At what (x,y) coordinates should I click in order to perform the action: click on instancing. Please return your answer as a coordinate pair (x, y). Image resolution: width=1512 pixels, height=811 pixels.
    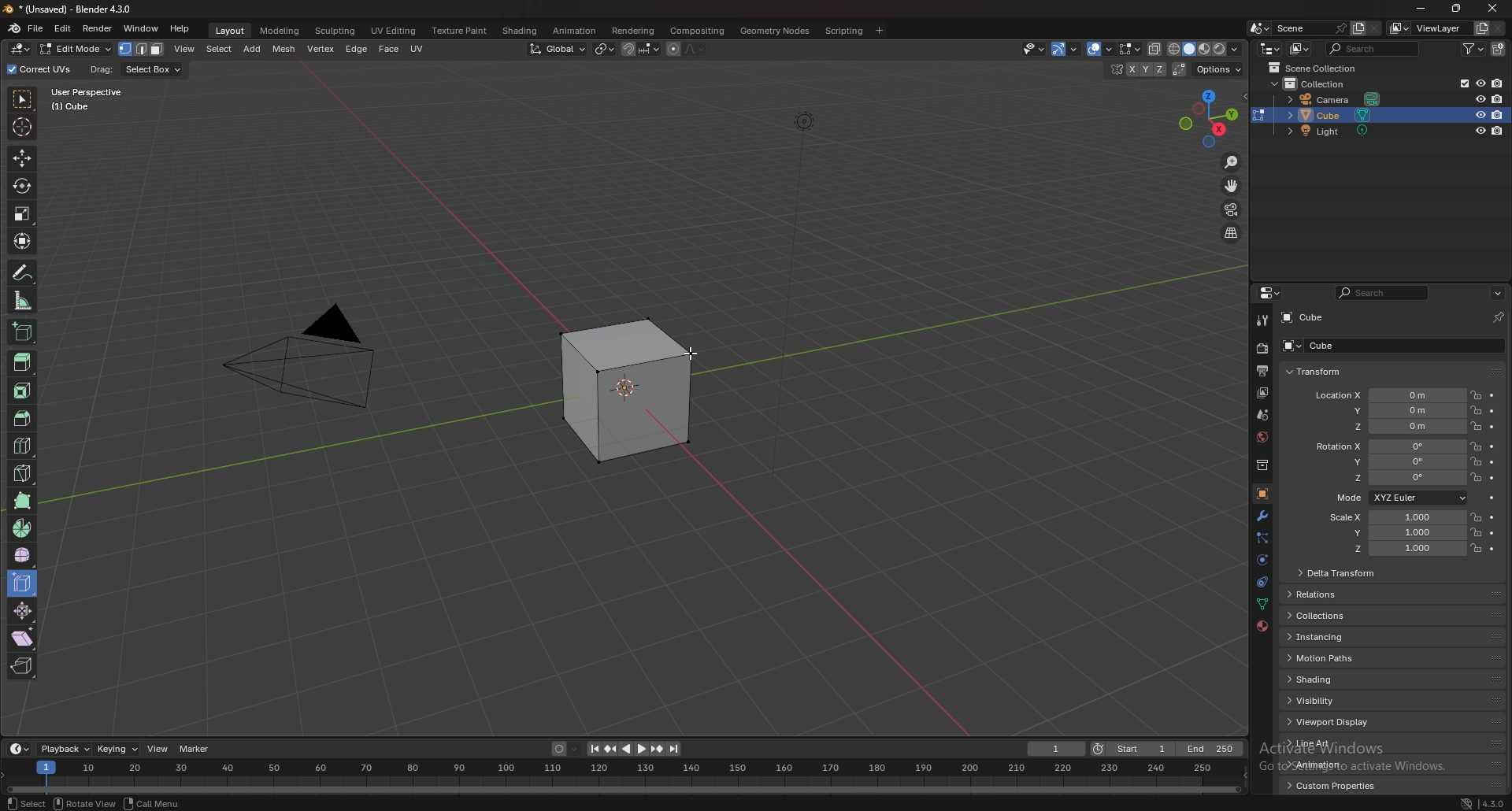
    Looking at the image, I should click on (1329, 639).